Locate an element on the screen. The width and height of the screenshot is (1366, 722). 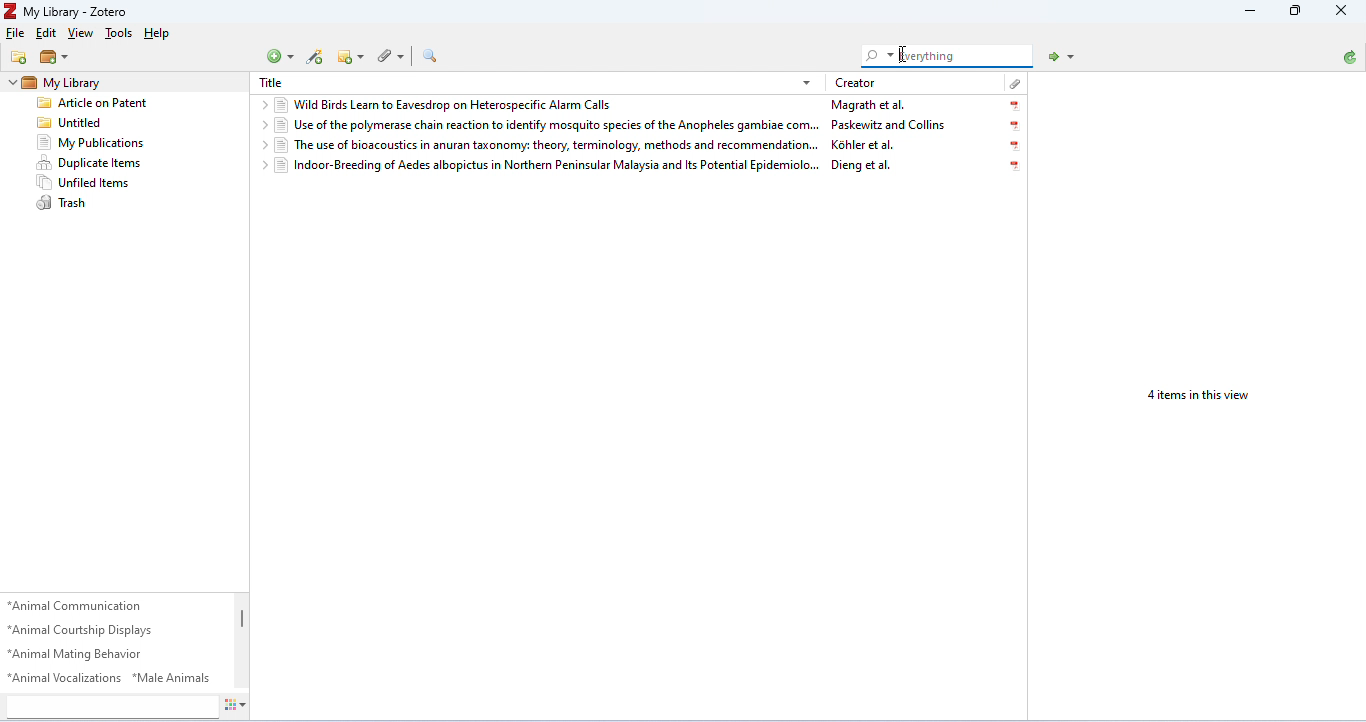
Add Attachment is located at coordinates (391, 58).